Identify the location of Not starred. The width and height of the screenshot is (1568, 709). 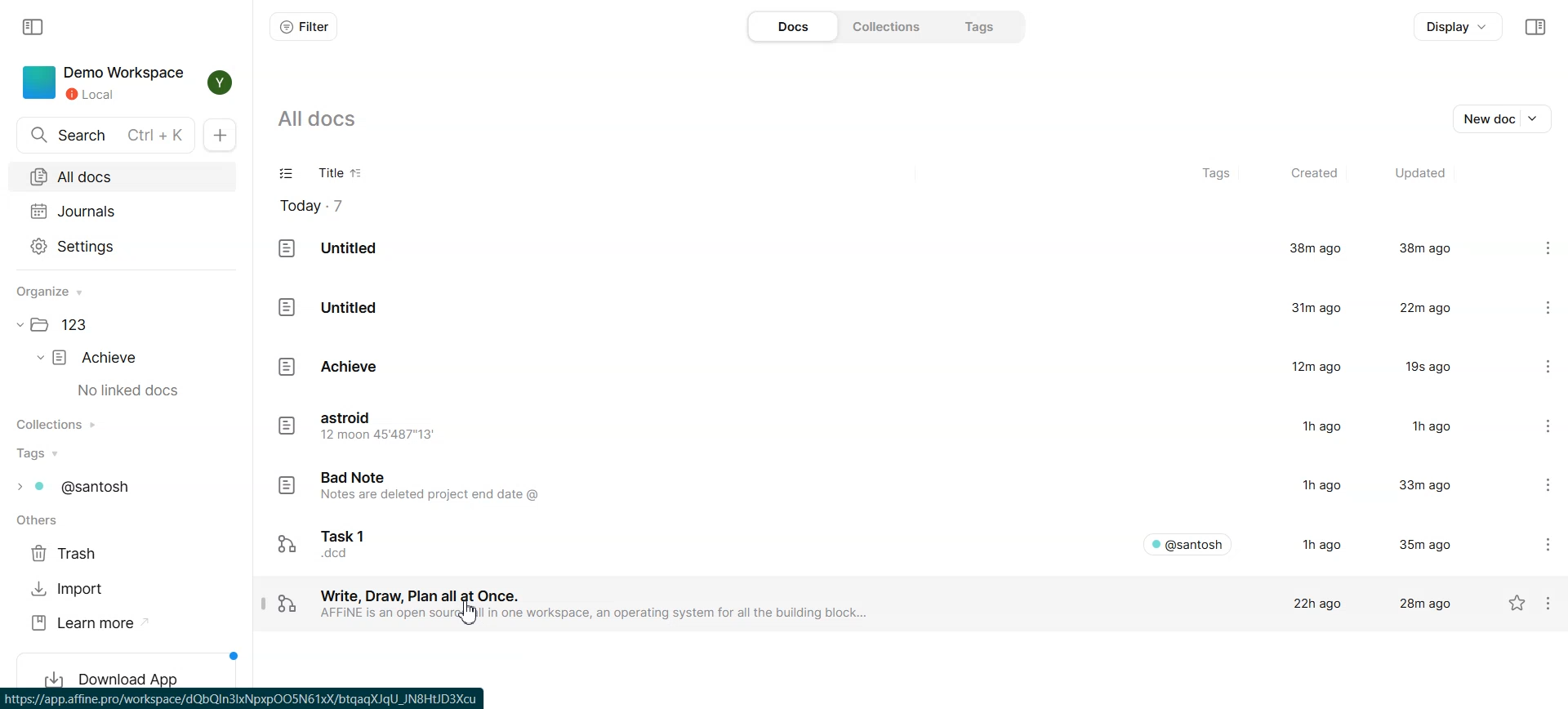
(1517, 604).